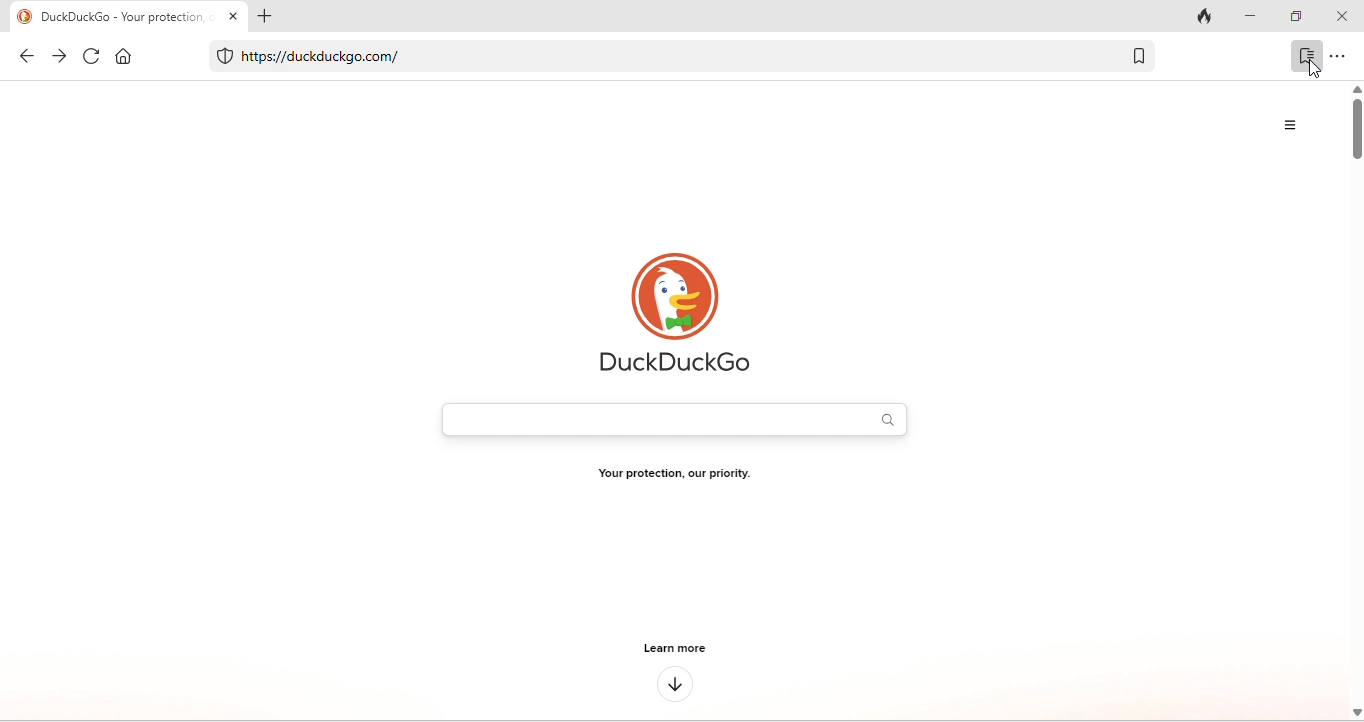 This screenshot has height=722, width=1364. What do you see at coordinates (676, 477) in the screenshot?
I see `Your protection, our priority` at bounding box center [676, 477].